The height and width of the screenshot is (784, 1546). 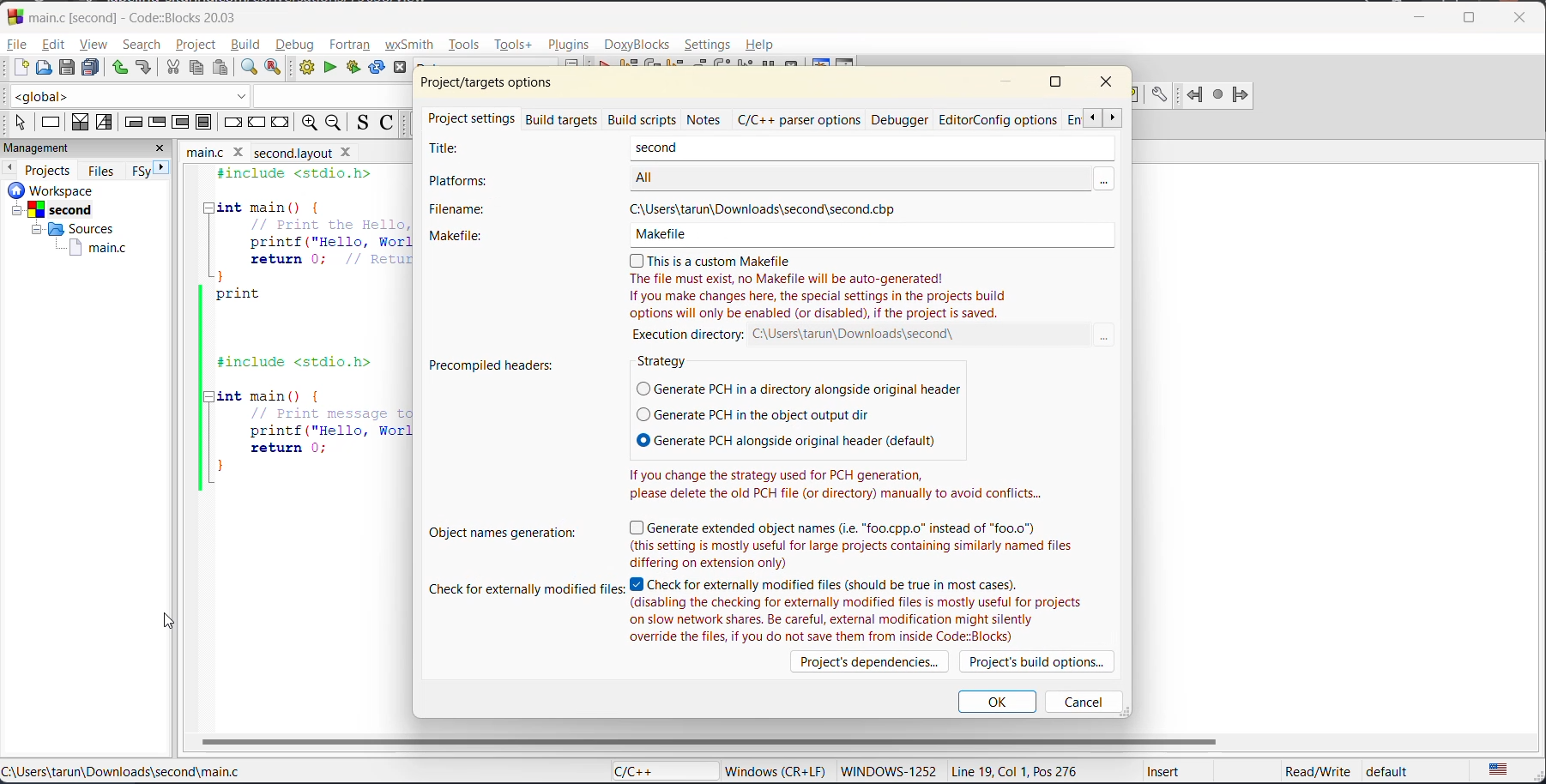 What do you see at coordinates (365, 122) in the screenshot?
I see `toggle source` at bounding box center [365, 122].